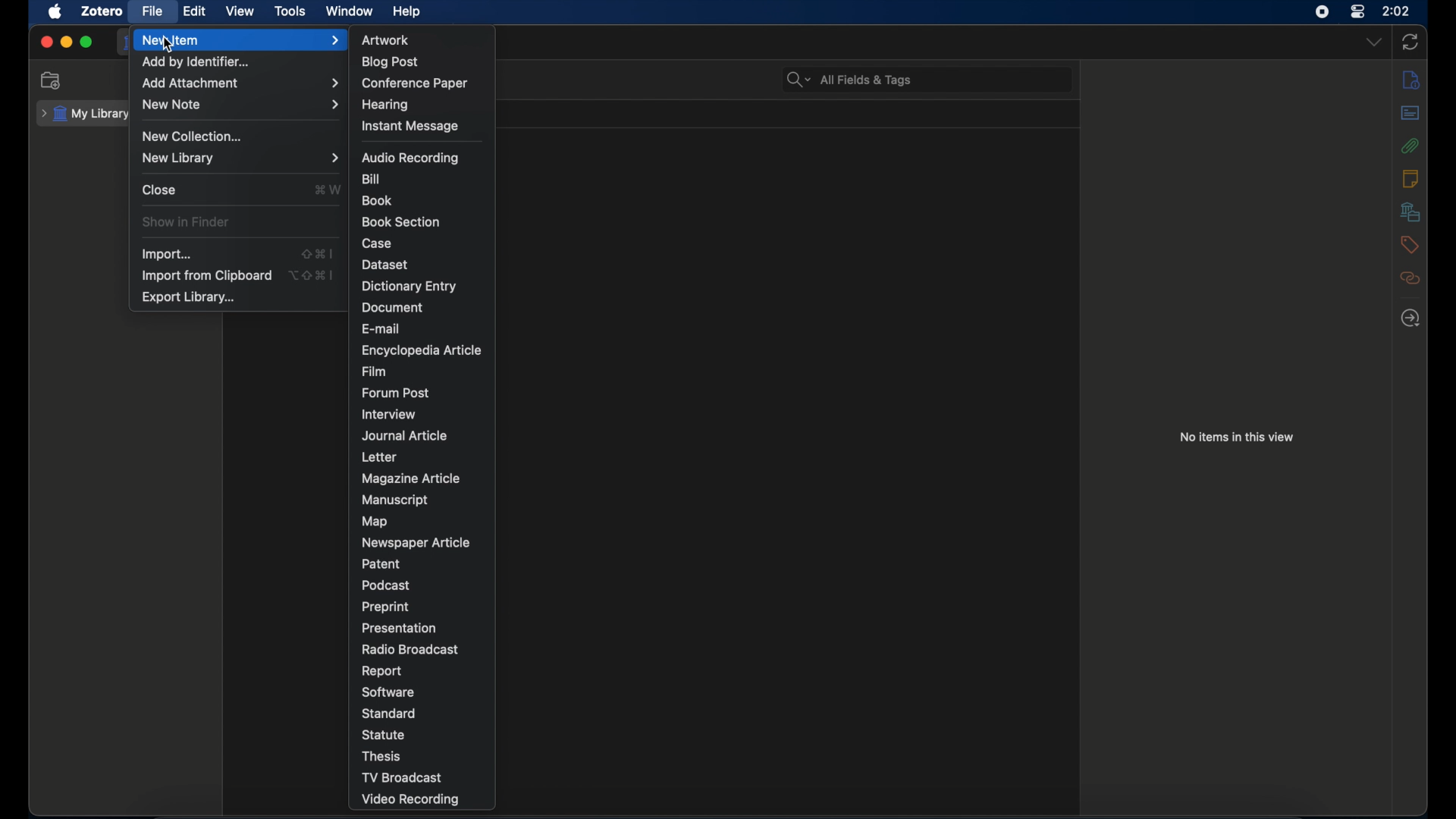  What do you see at coordinates (196, 11) in the screenshot?
I see `edit` at bounding box center [196, 11].